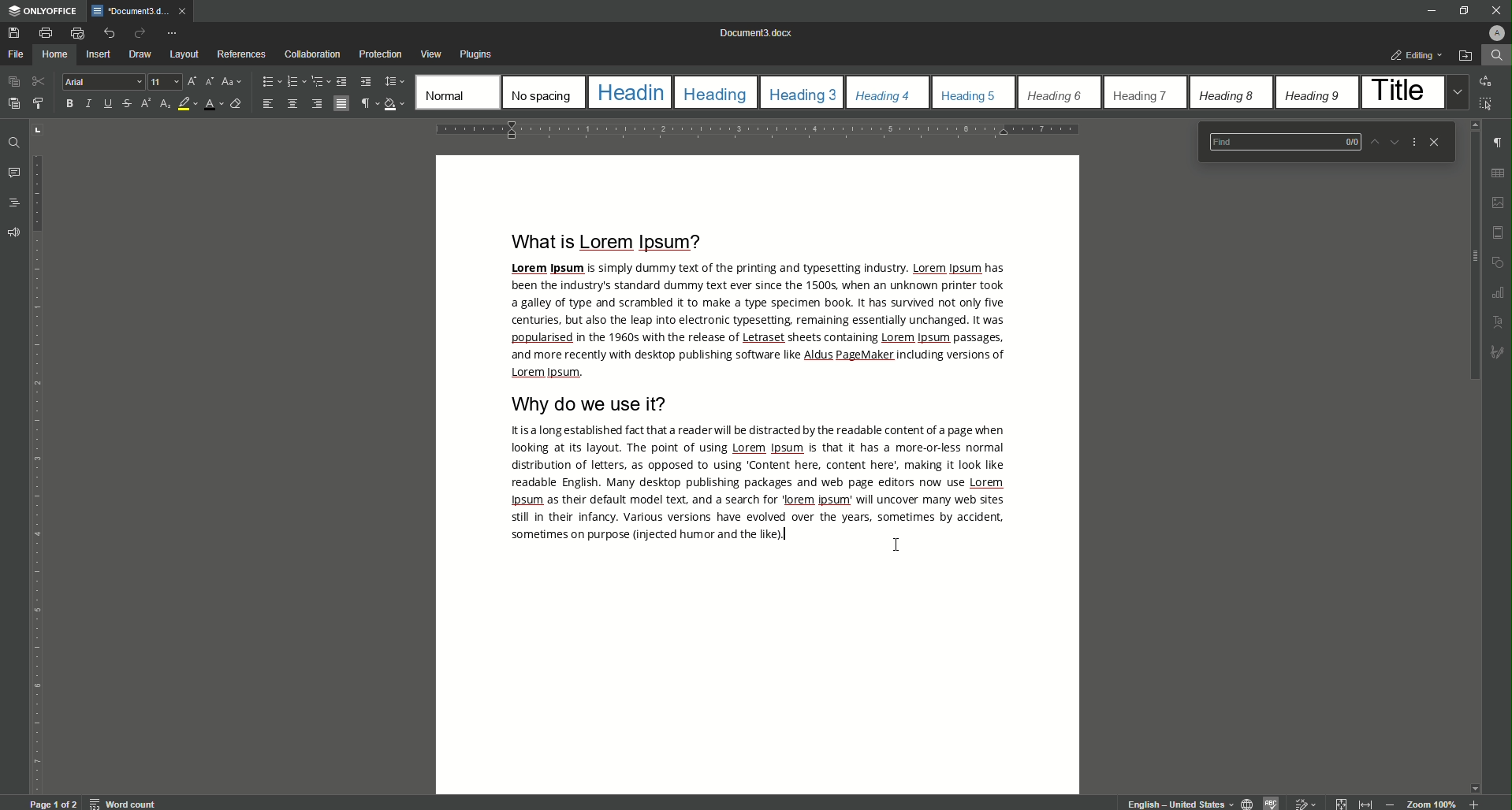 Image resolution: width=1512 pixels, height=810 pixels. I want to click on Subscript, so click(166, 105).